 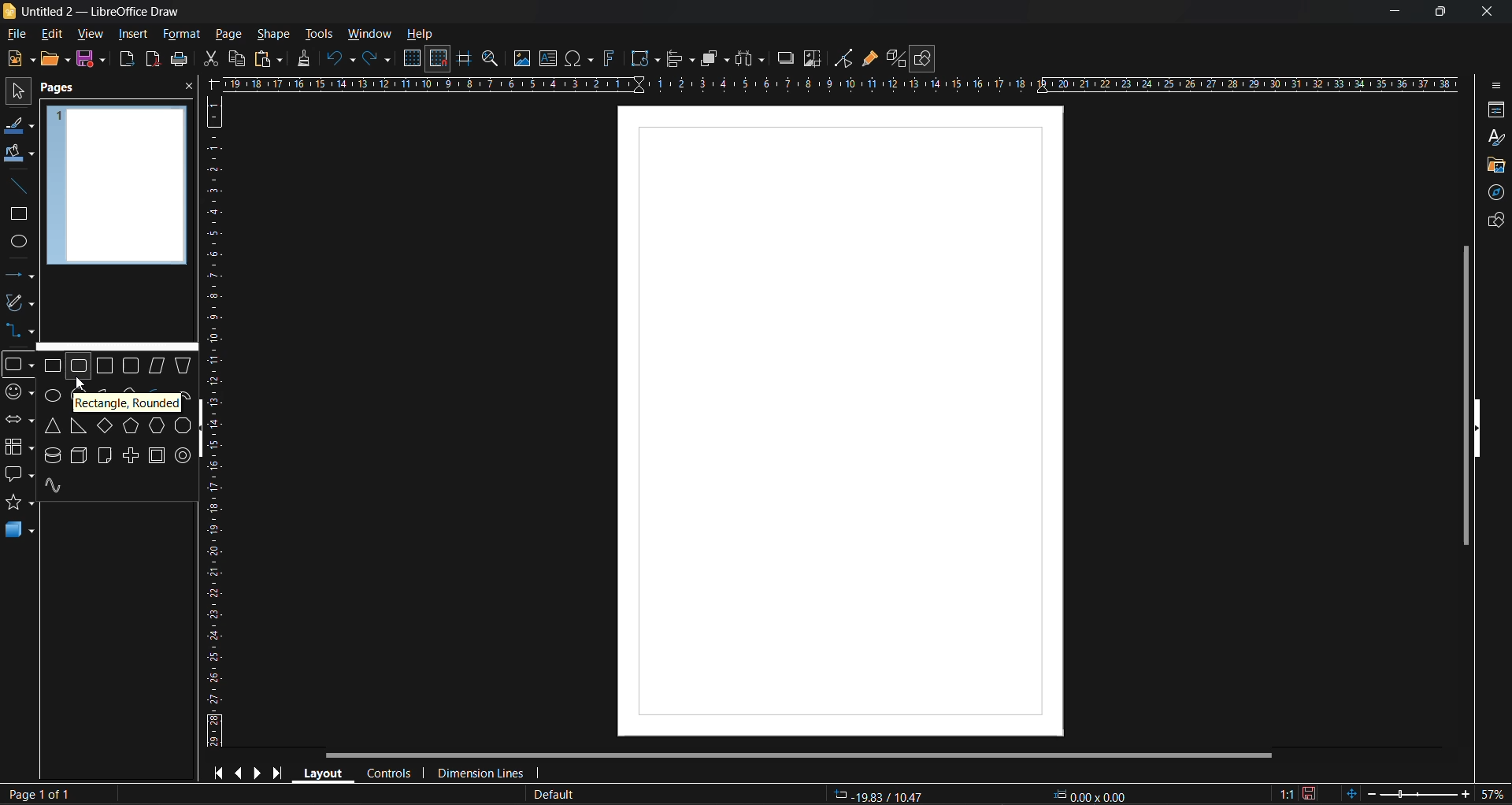 I want to click on shapes, so click(x=1494, y=220).